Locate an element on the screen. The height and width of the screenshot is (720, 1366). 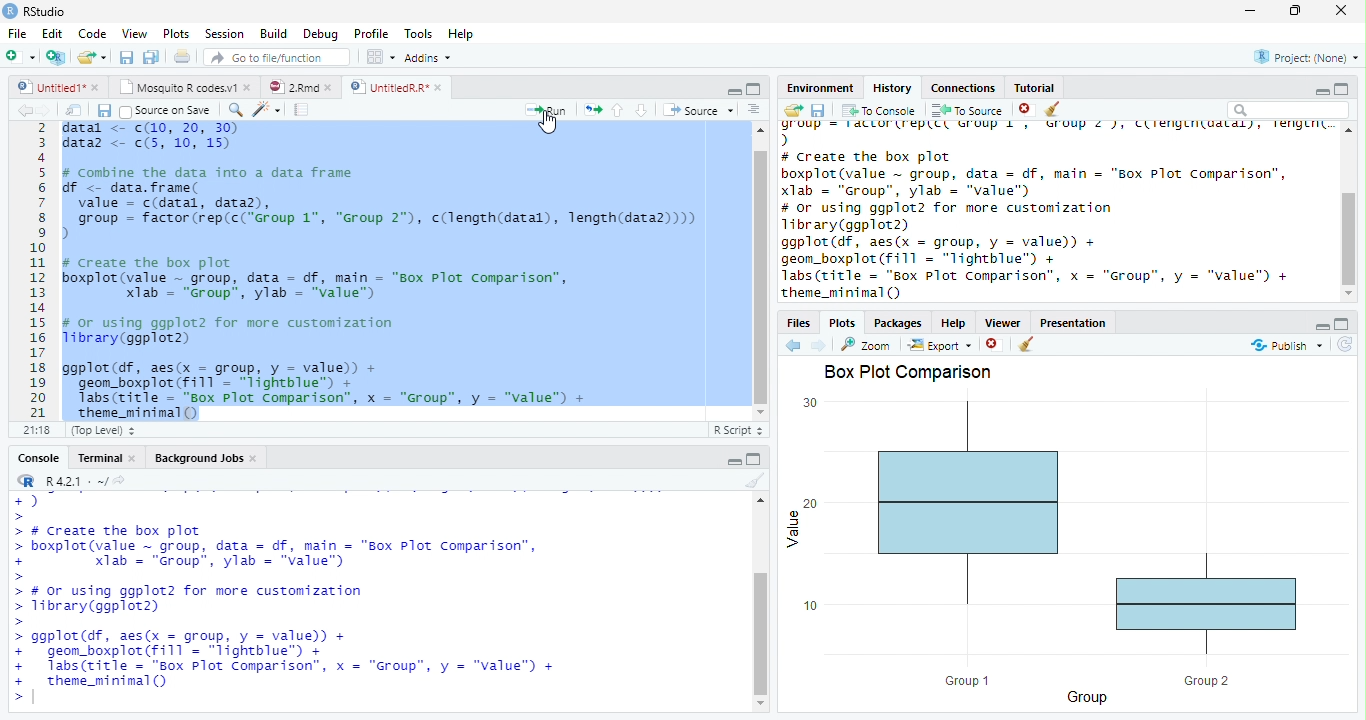
Refresh current plot is located at coordinates (1345, 346).